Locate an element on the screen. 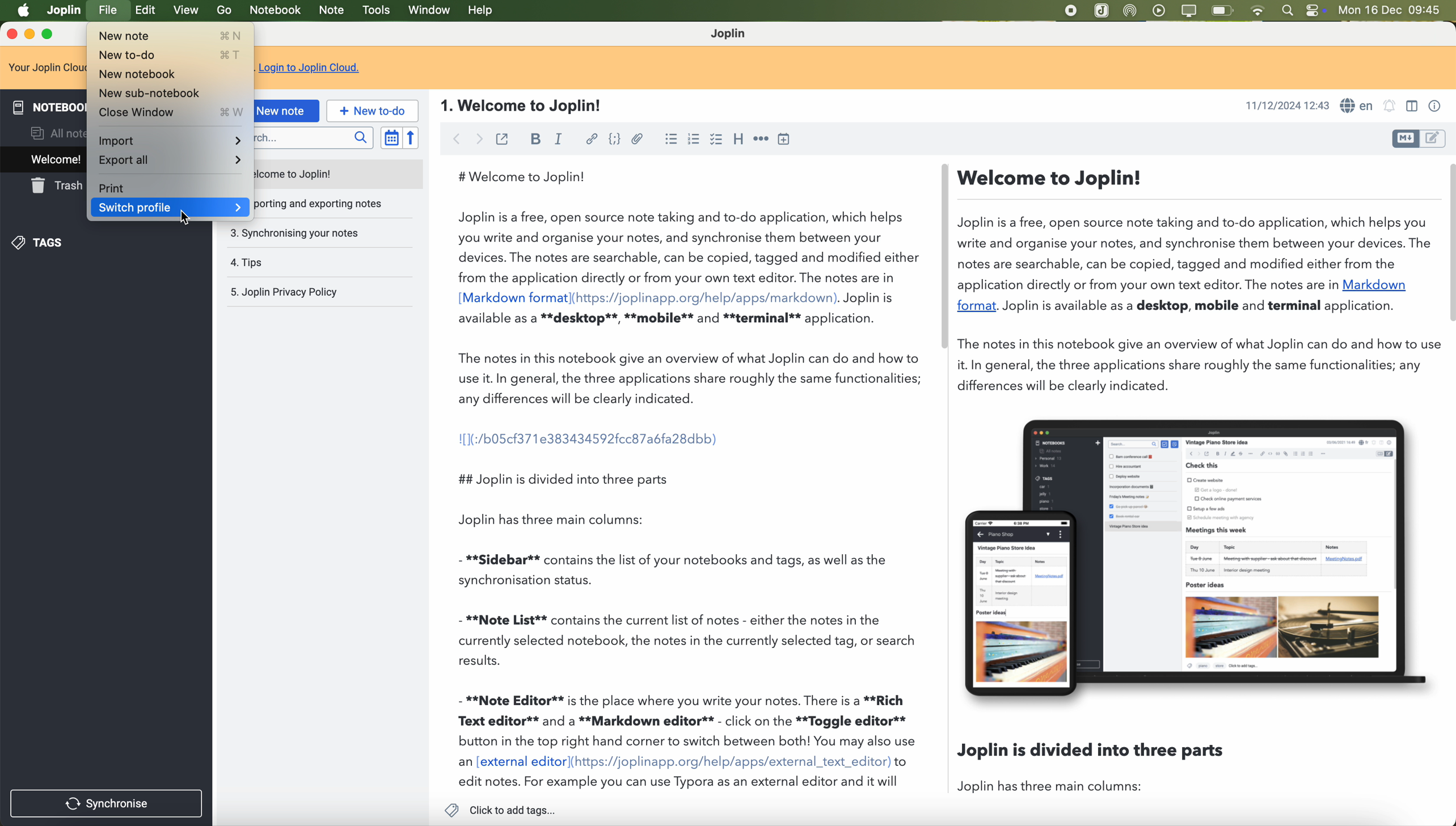 The image size is (1456, 826). set alarm is located at coordinates (1390, 108).